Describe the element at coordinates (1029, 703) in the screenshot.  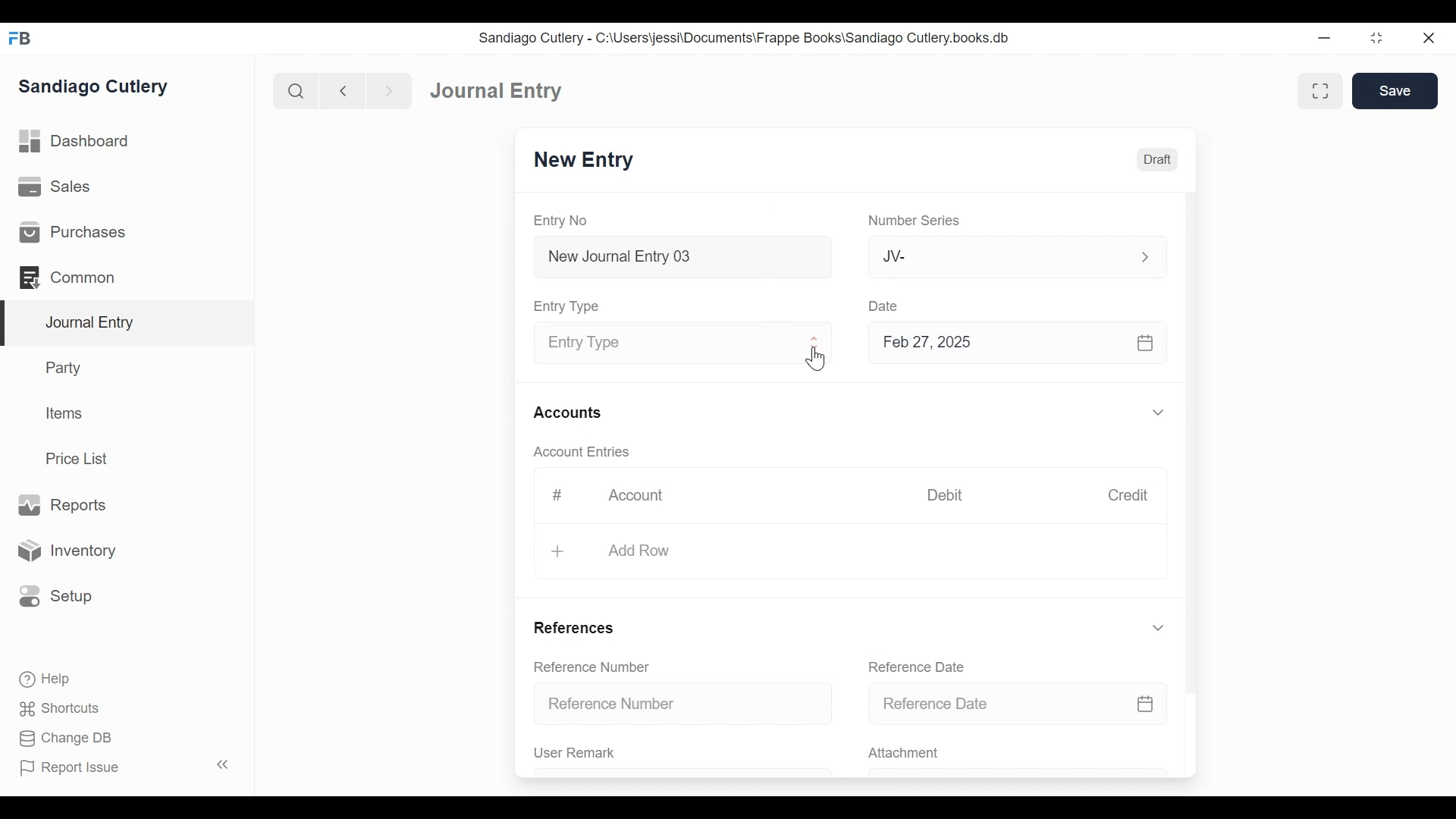
I see `Reference Date` at that location.